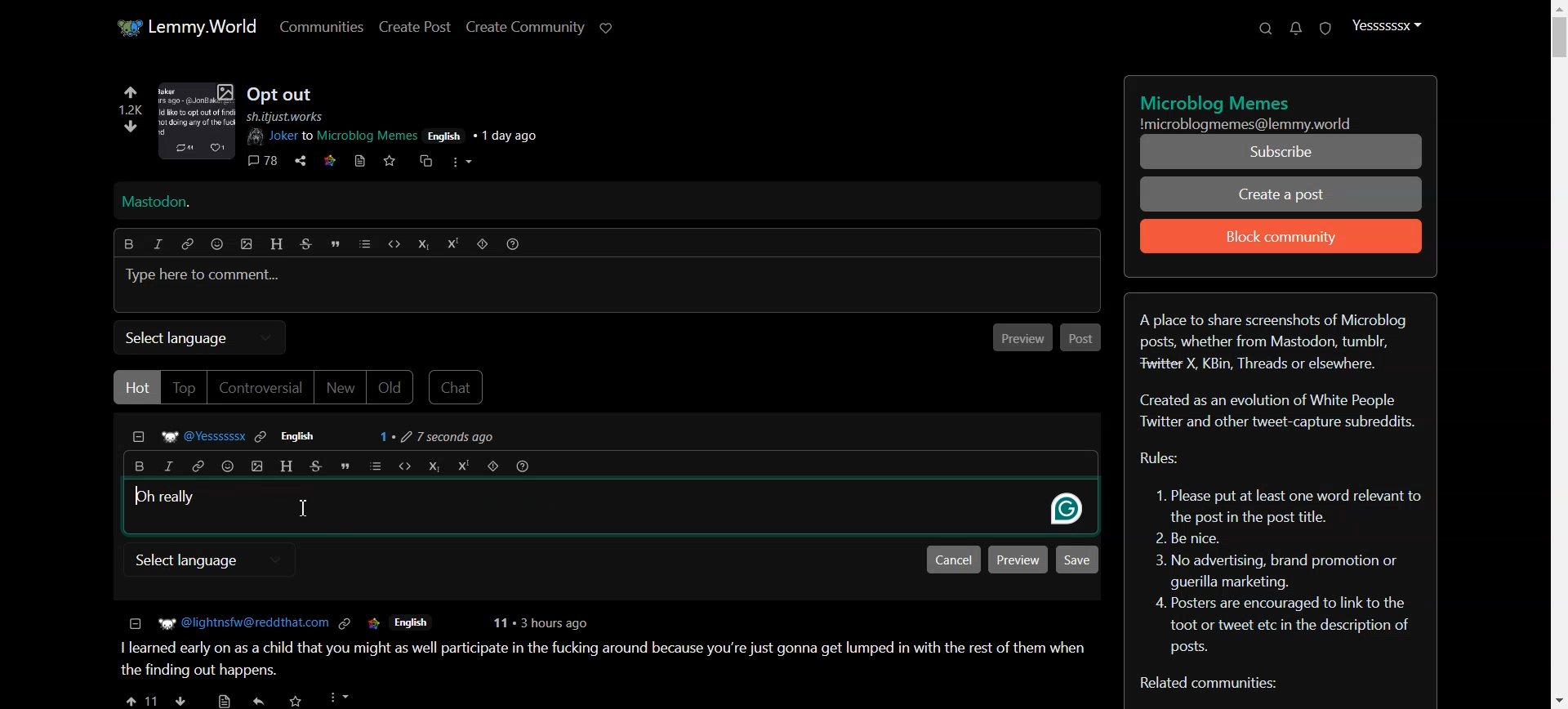  What do you see at coordinates (1267, 28) in the screenshot?
I see `Search` at bounding box center [1267, 28].